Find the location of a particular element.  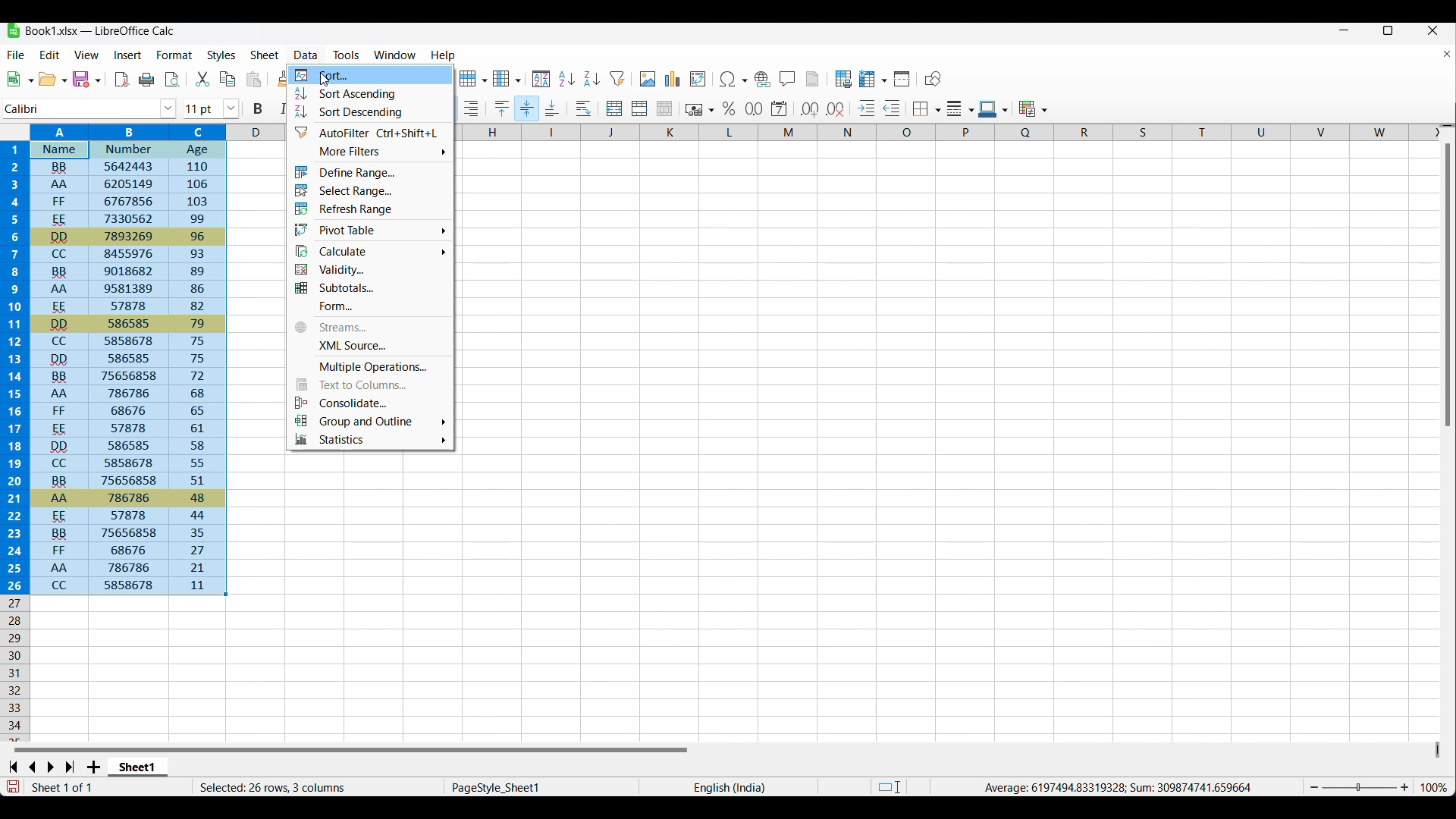

Current language is located at coordinates (728, 786).